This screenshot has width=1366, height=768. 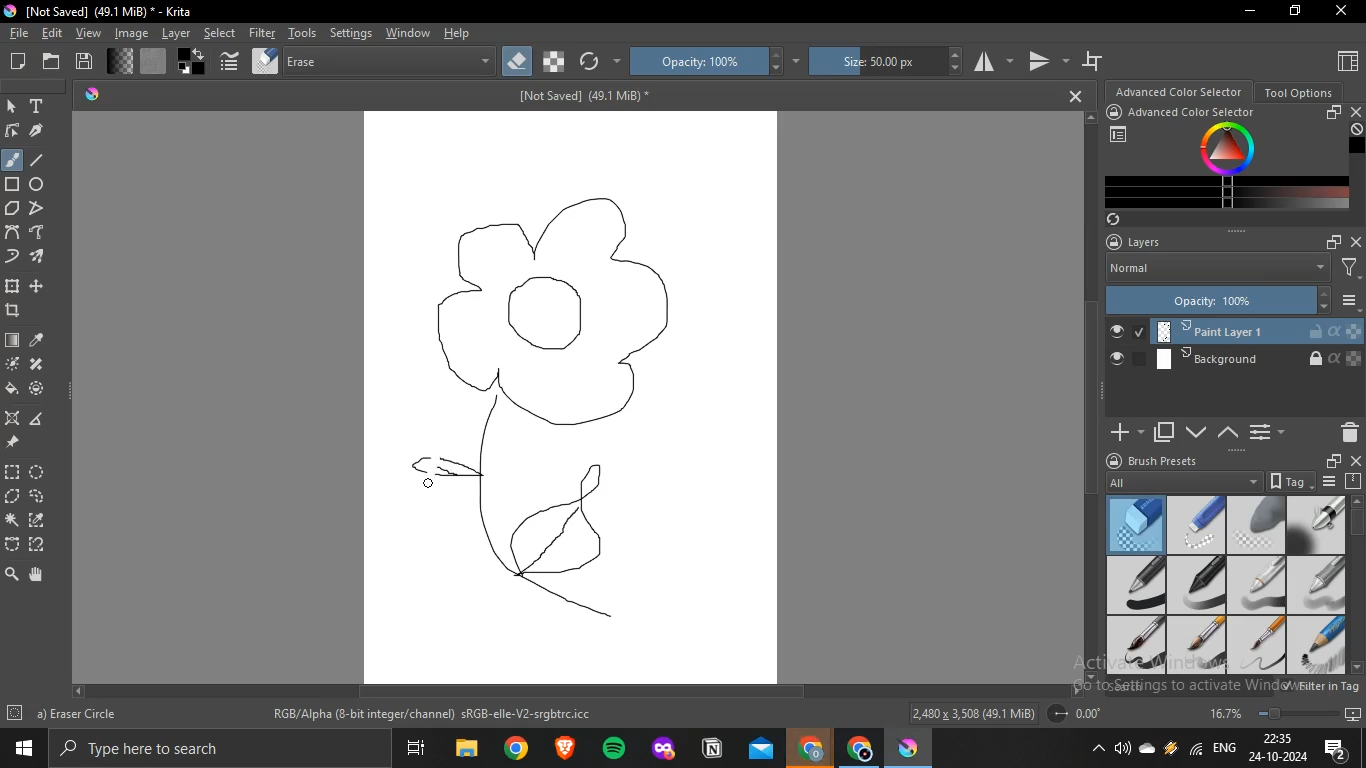 I want to click on edit shapes tool, so click(x=13, y=131).